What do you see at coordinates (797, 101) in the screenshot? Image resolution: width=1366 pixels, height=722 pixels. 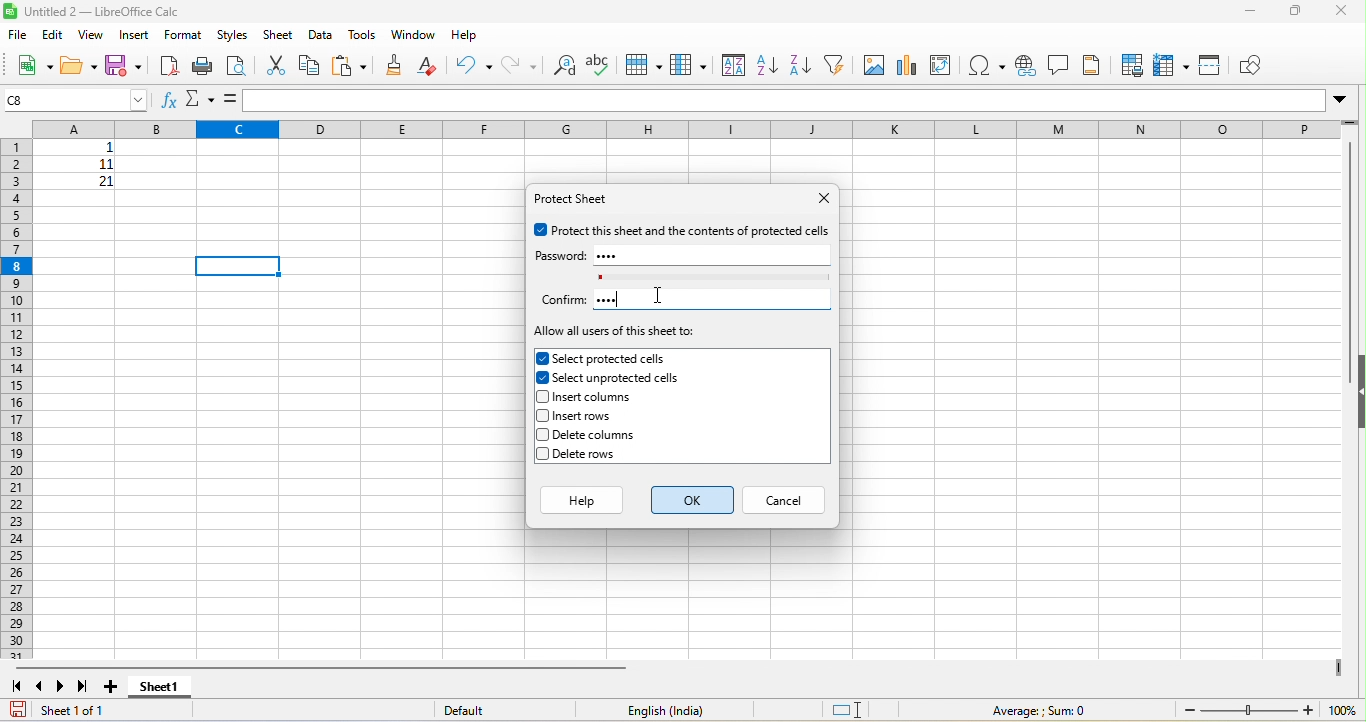 I see `formula bar` at bounding box center [797, 101].